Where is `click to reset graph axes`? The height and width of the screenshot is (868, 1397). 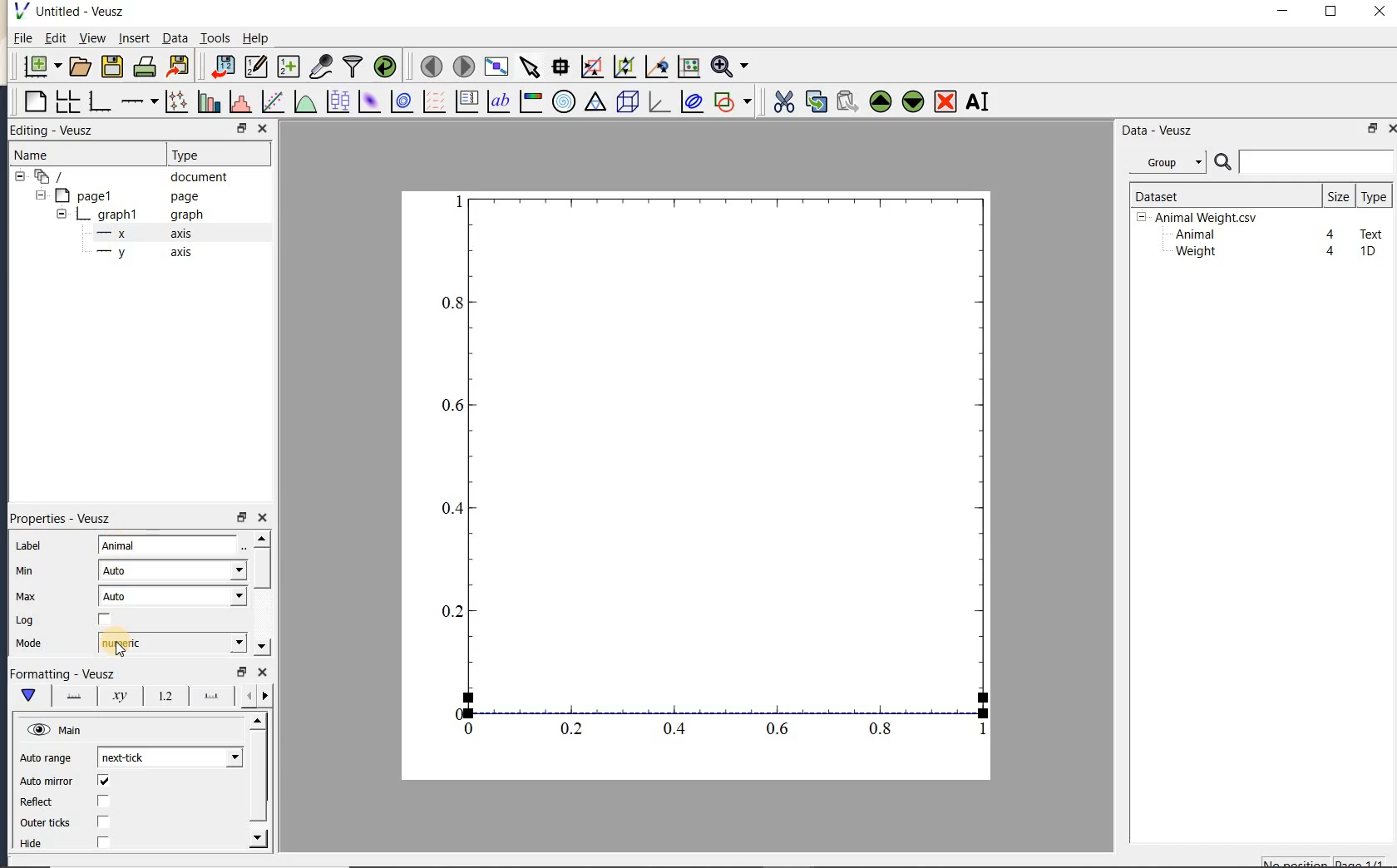 click to reset graph axes is located at coordinates (689, 67).